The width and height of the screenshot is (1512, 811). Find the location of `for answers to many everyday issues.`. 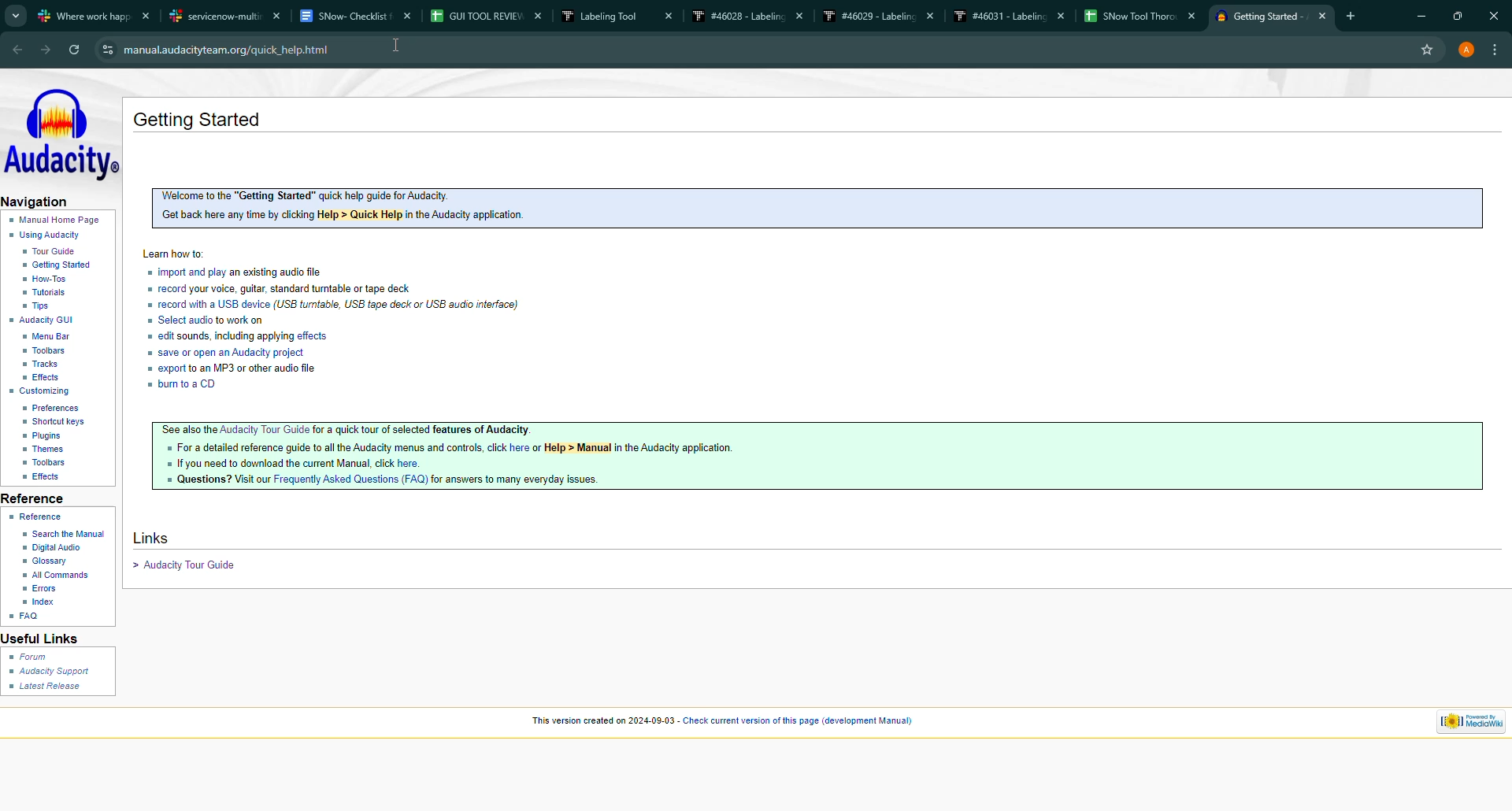

for answers to many everyday issues. is located at coordinates (517, 479).